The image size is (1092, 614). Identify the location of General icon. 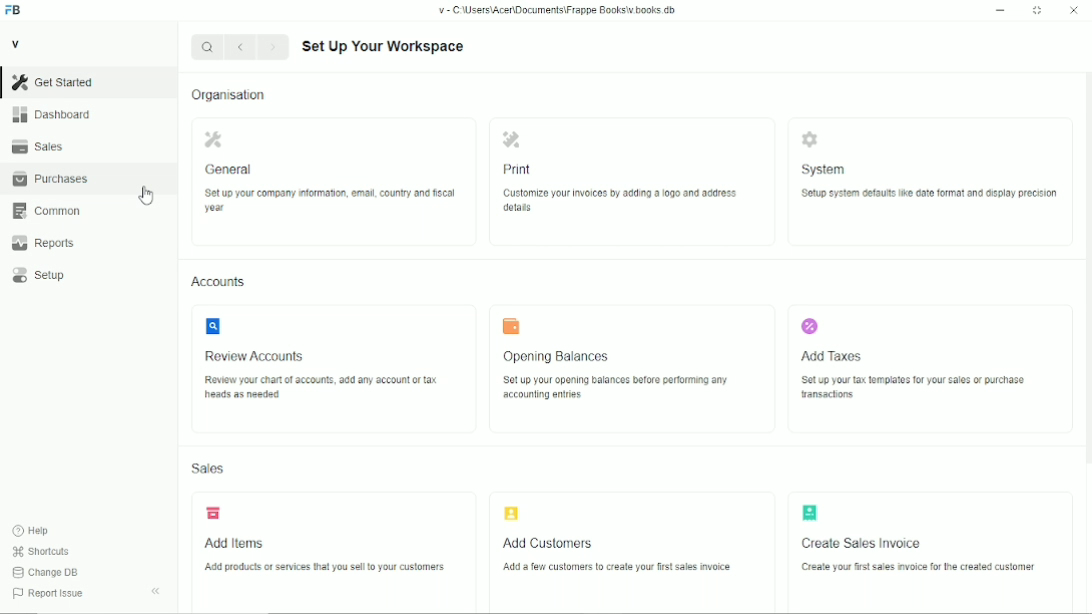
(213, 139).